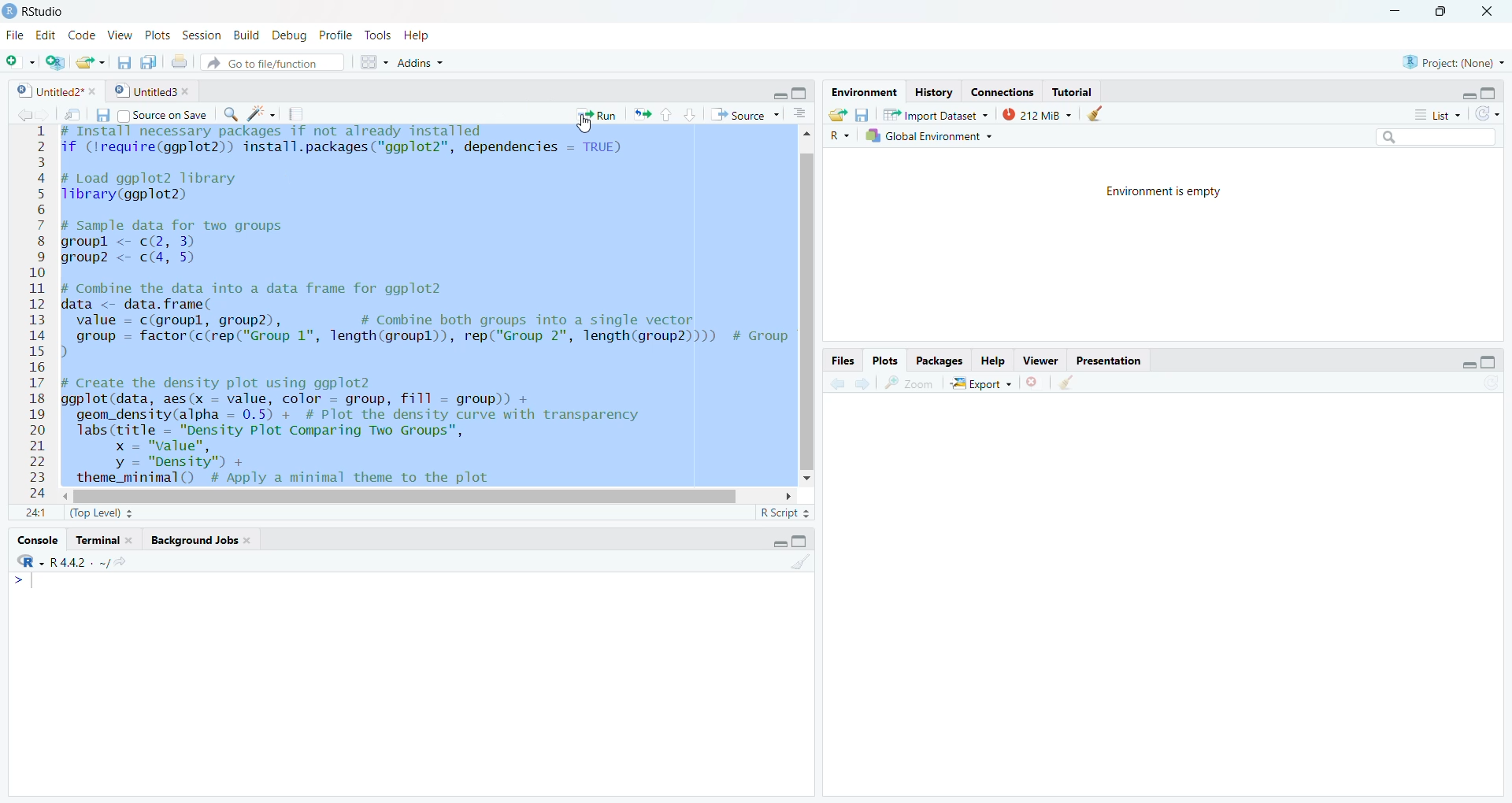 The image size is (1512, 803). I want to click on arrows, so click(639, 115).